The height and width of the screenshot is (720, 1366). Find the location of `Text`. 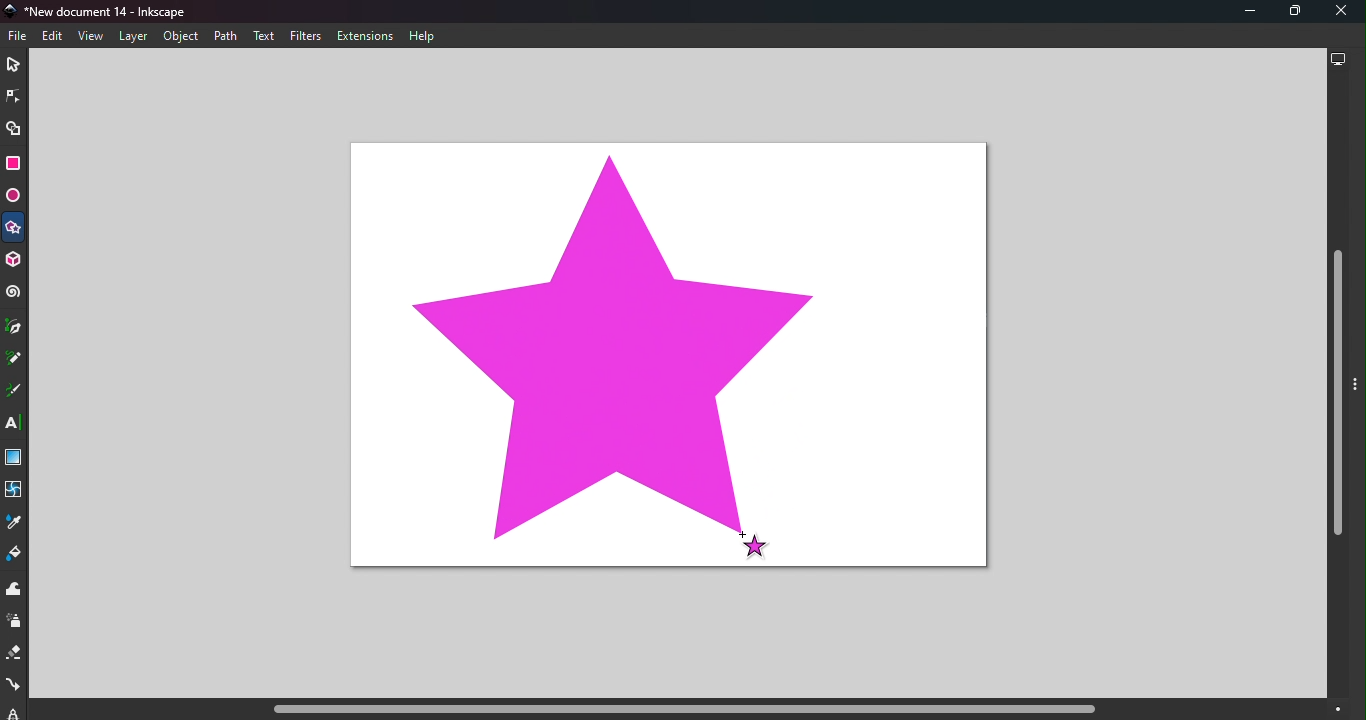

Text is located at coordinates (264, 36).